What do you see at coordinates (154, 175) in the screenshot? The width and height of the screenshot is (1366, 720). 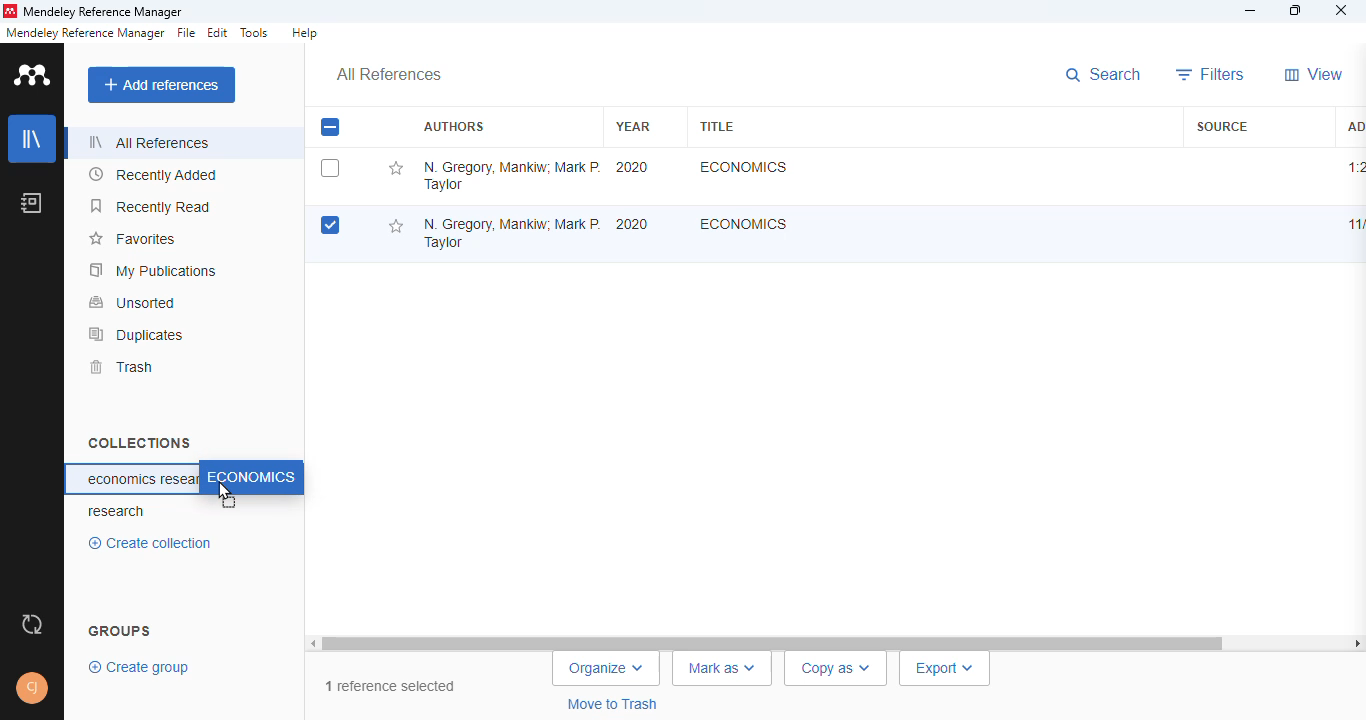 I see `recently added` at bounding box center [154, 175].